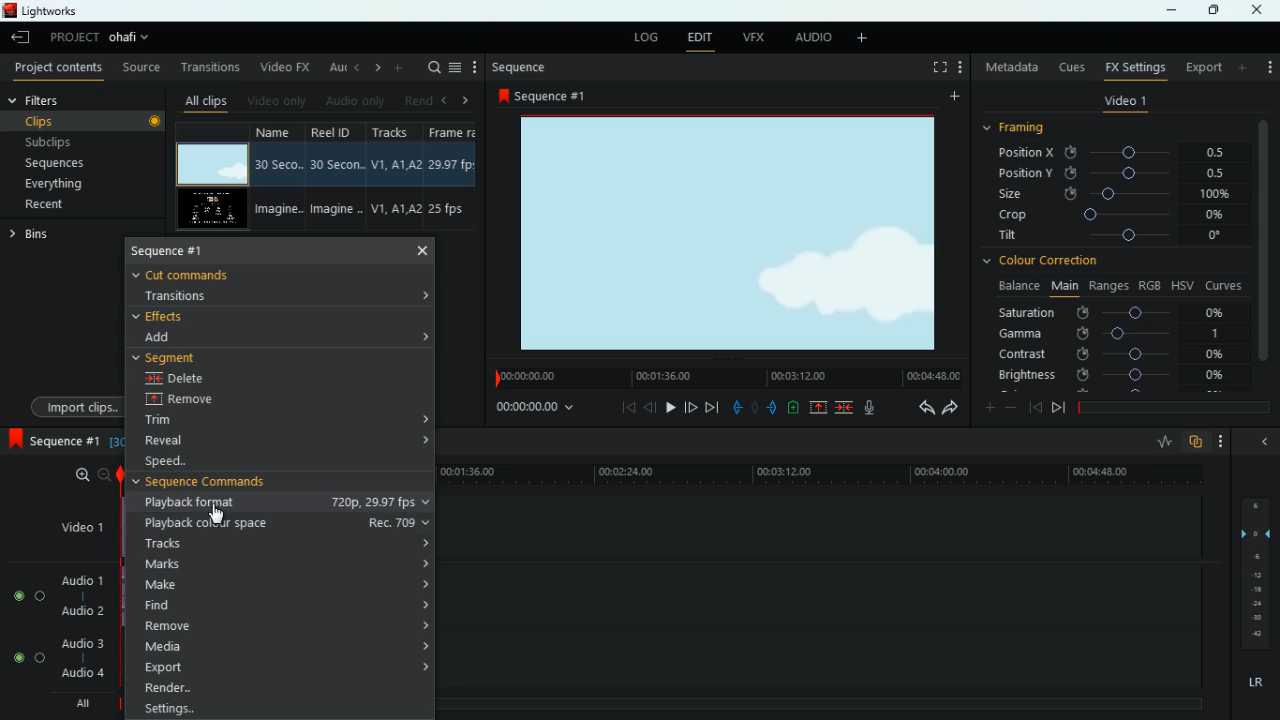  I want to click on video, so click(211, 212).